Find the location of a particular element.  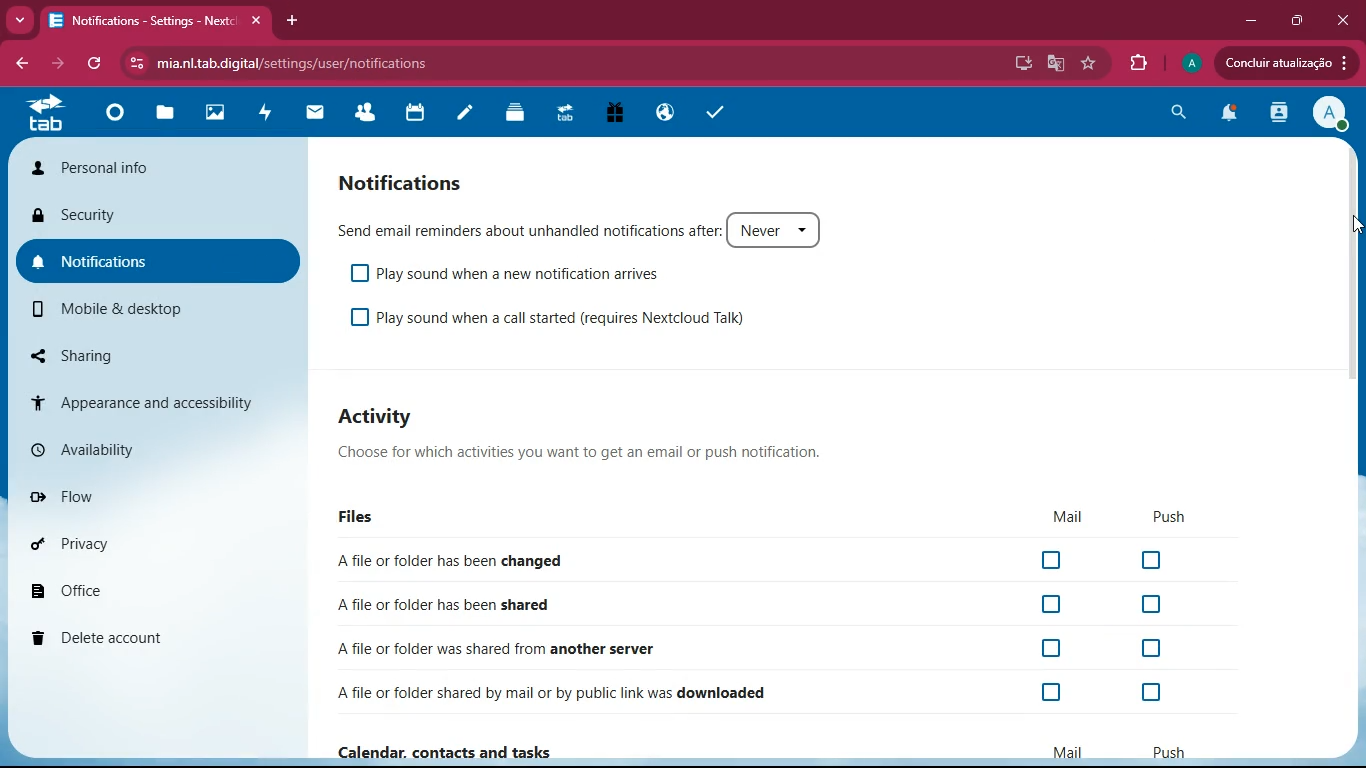

back is located at coordinates (18, 61).